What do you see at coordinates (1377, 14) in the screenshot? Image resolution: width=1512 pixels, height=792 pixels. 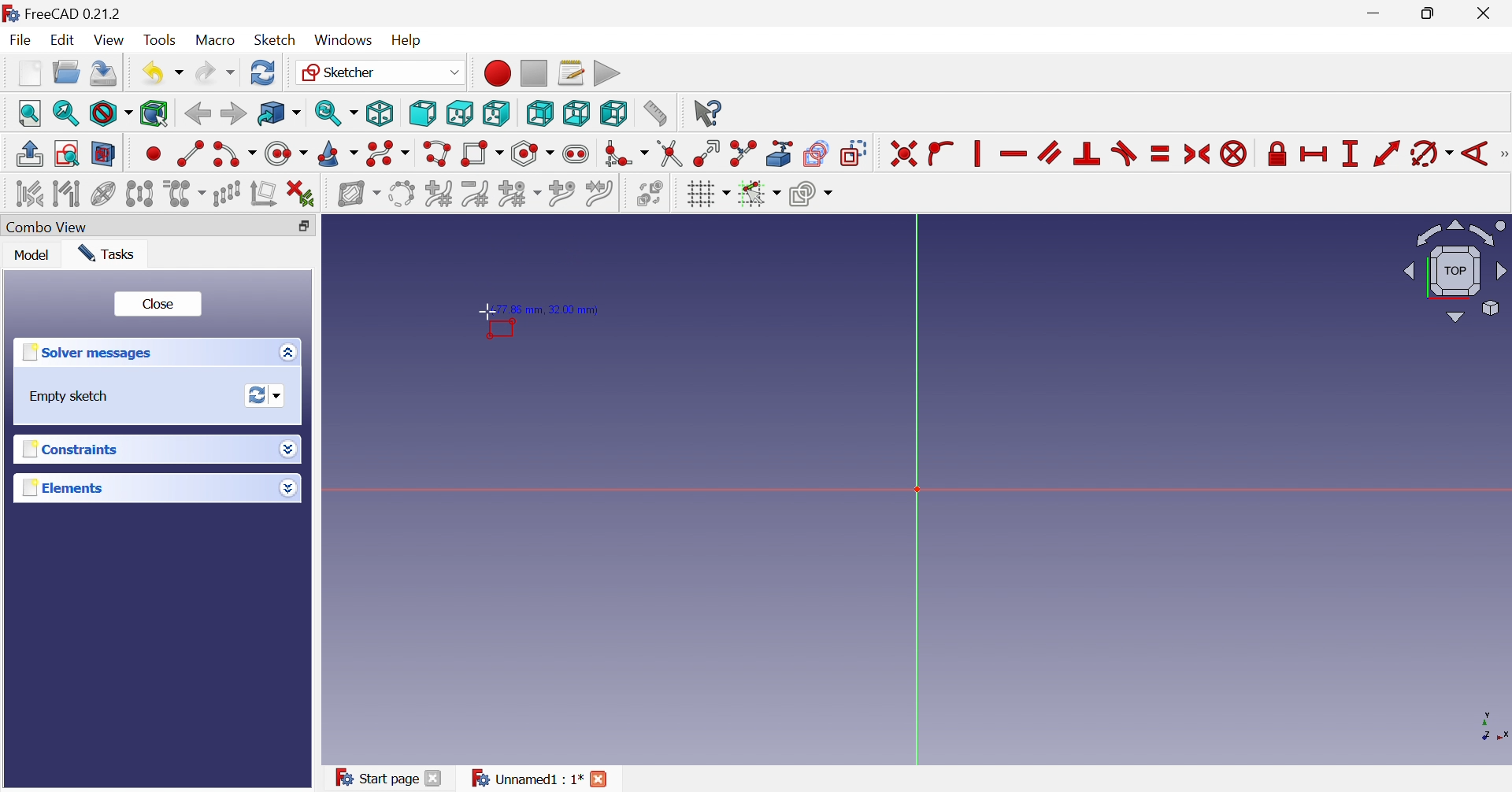 I see `Minimize` at bounding box center [1377, 14].